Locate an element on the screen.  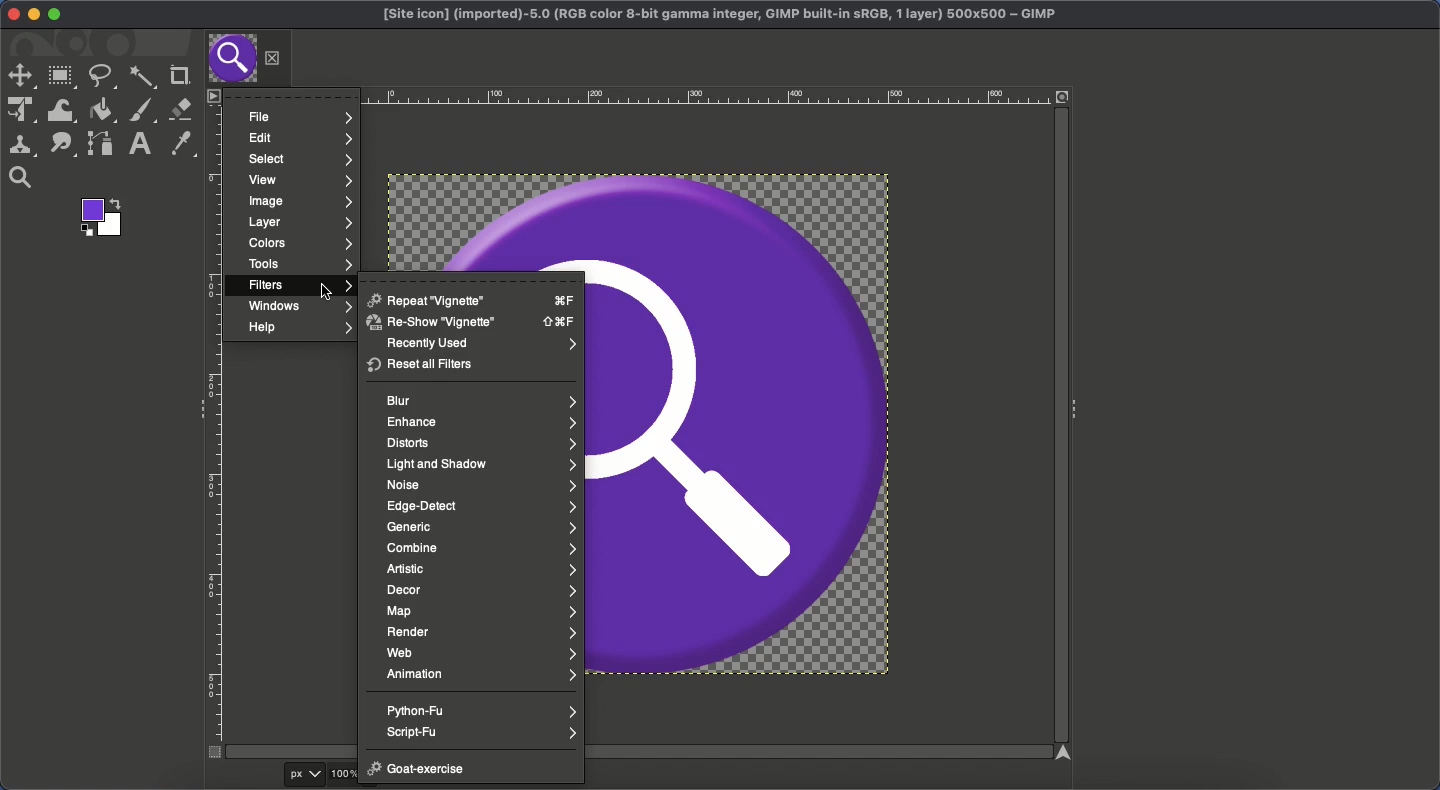
Select is located at coordinates (297, 159).